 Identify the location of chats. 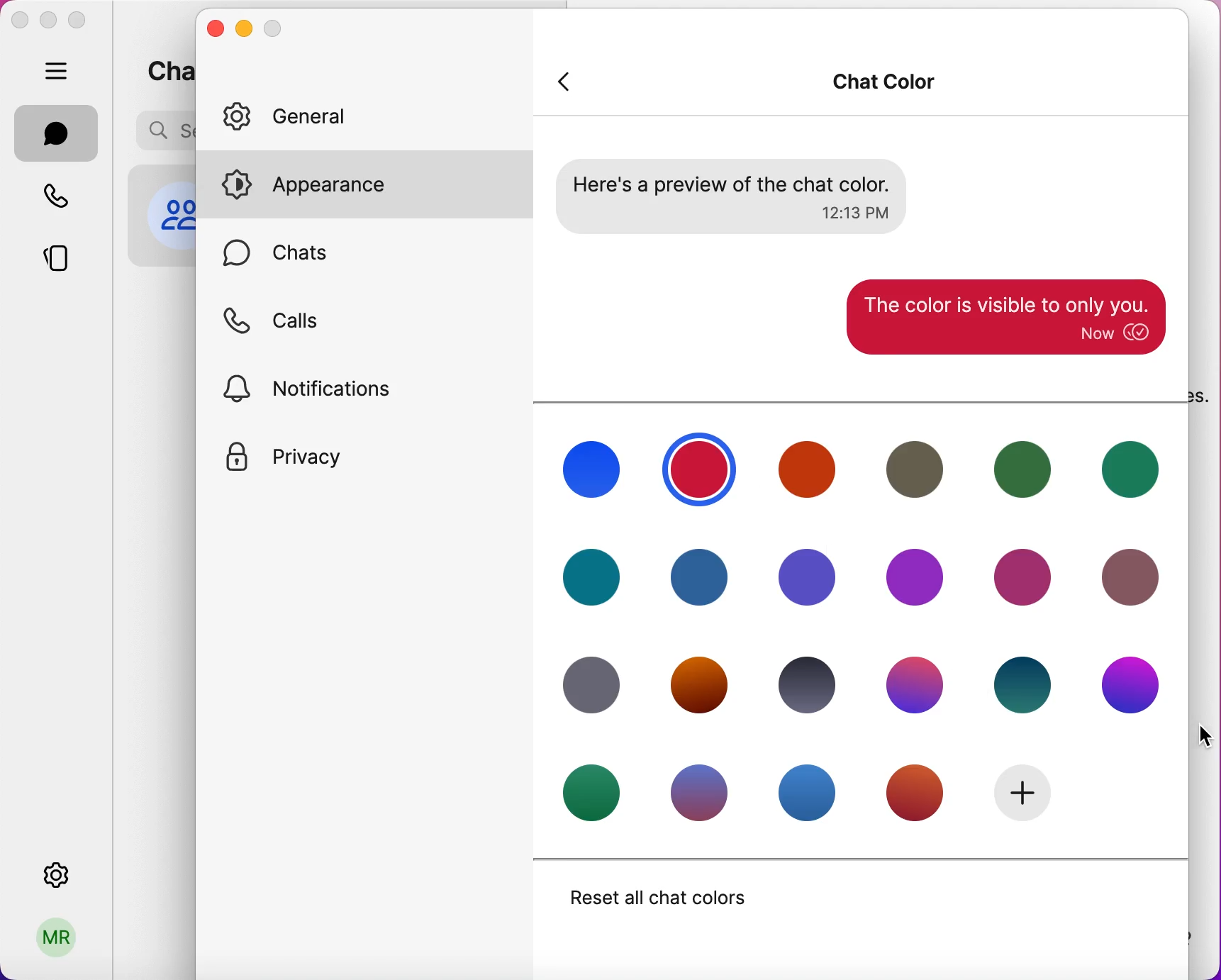
(165, 68).